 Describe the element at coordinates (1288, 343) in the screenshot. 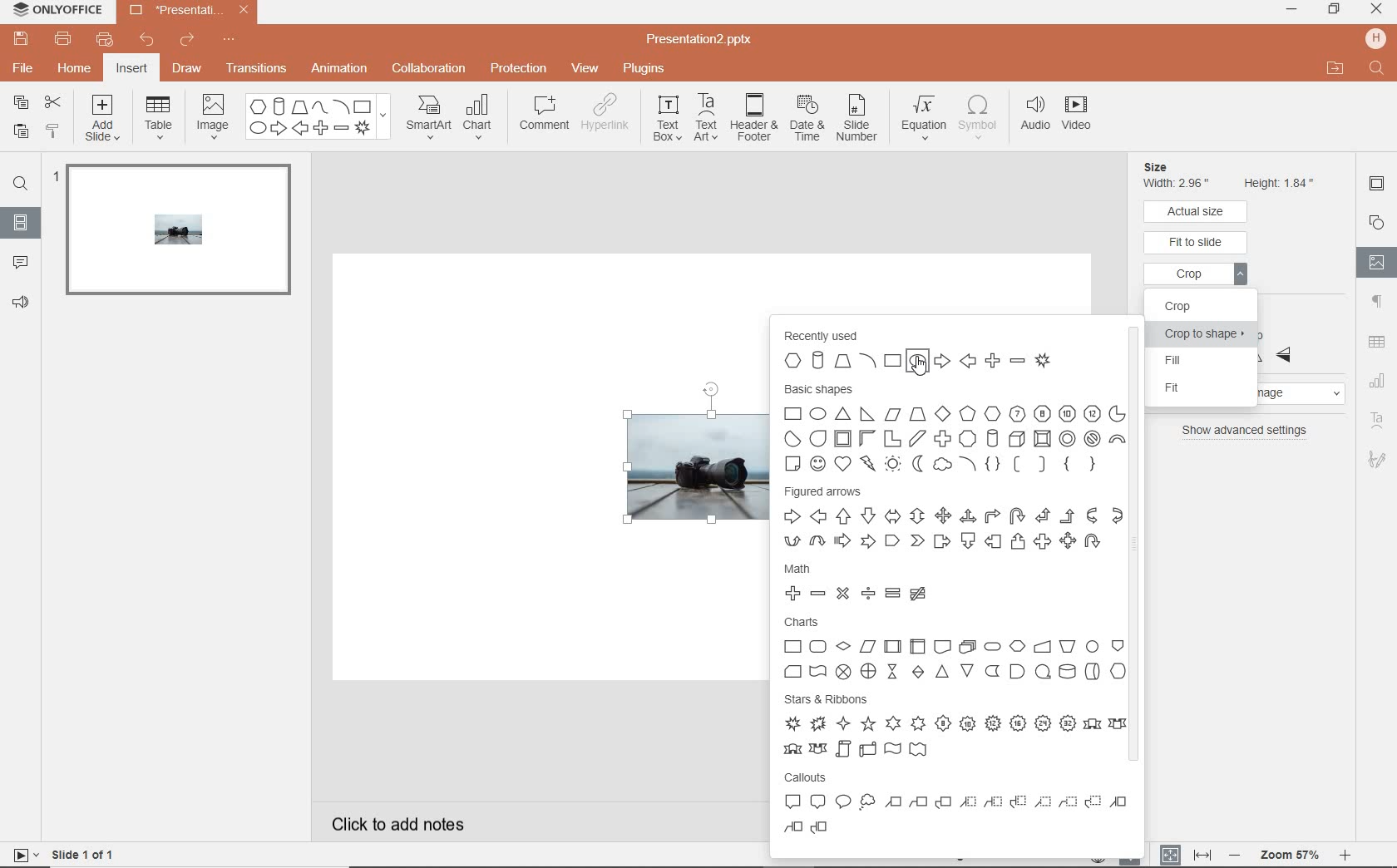

I see `flip` at that location.